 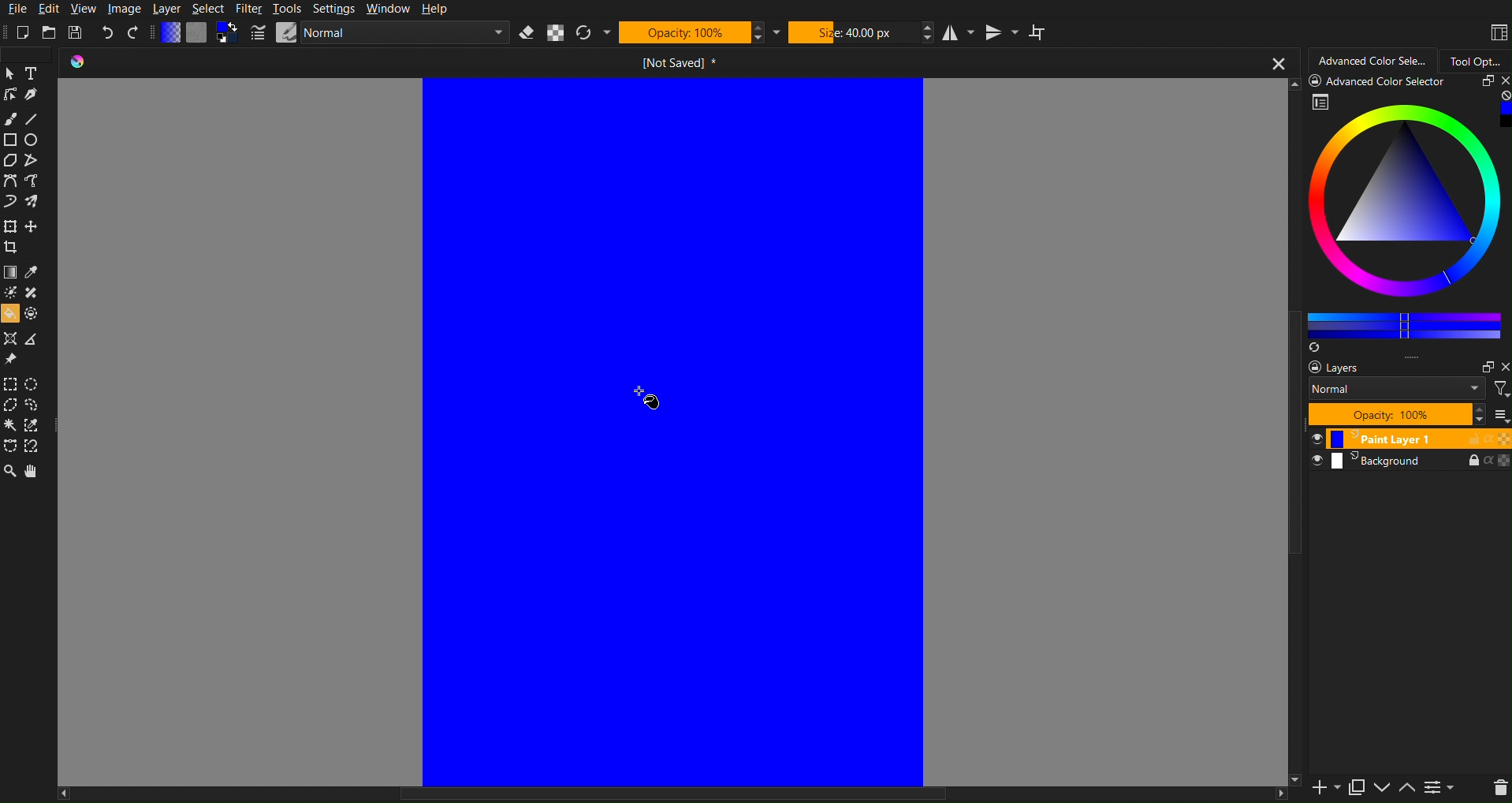 What do you see at coordinates (1293, 491) in the screenshot?
I see `` at bounding box center [1293, 491].